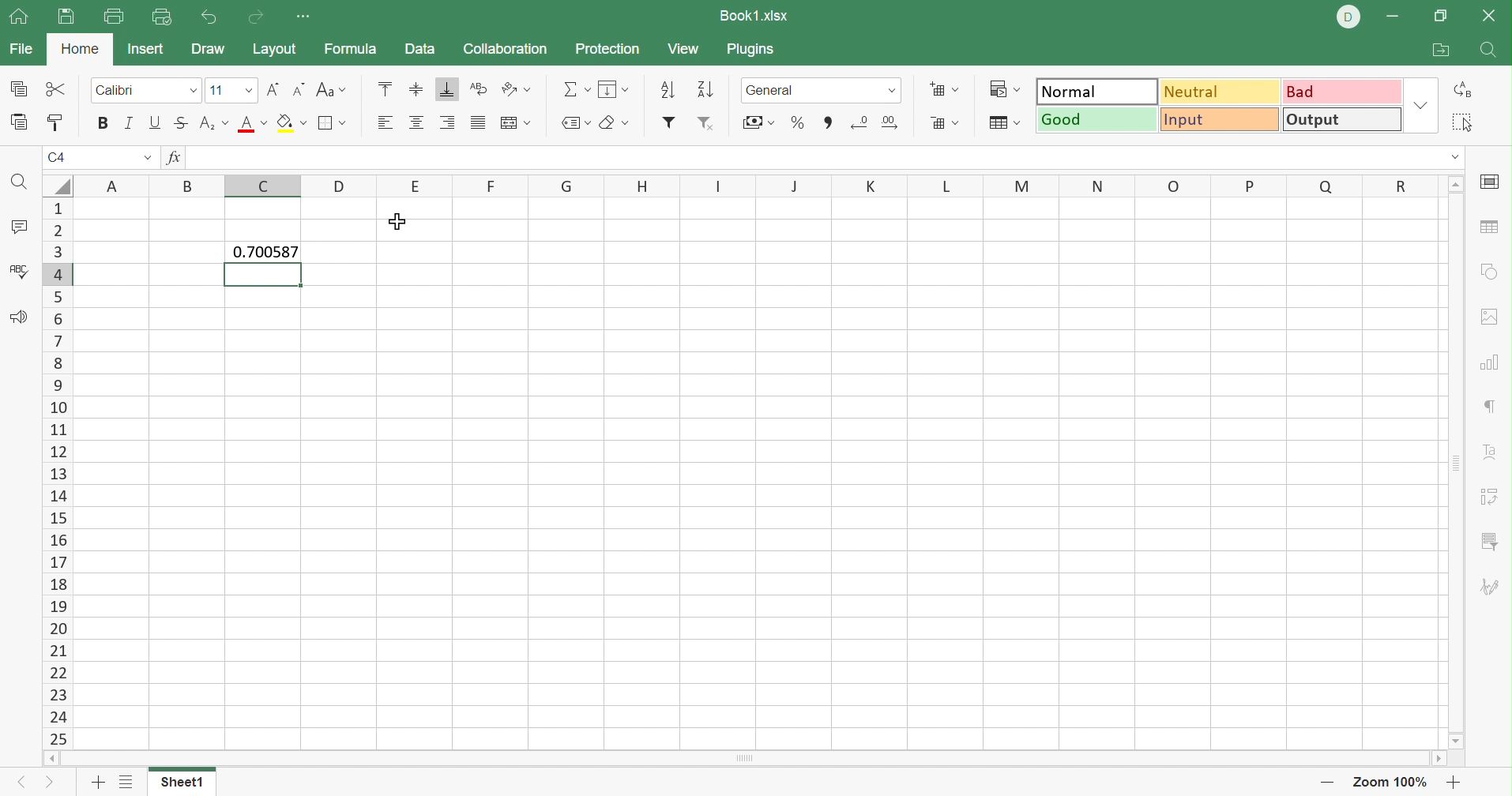  I want to click on Align left, so click(385, 122).